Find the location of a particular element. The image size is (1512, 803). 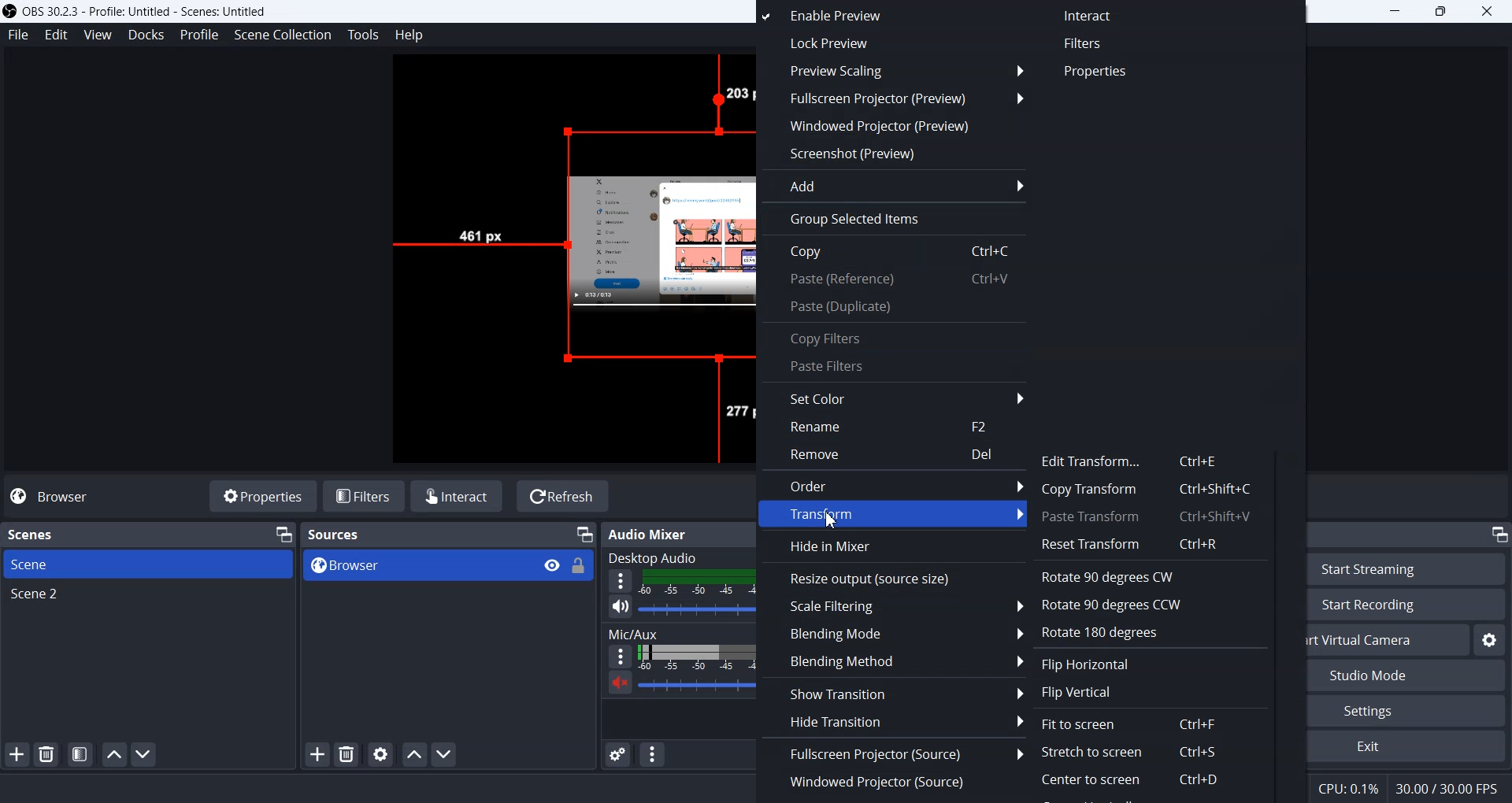

Preview Scaling is located at coordinates (895, 70).